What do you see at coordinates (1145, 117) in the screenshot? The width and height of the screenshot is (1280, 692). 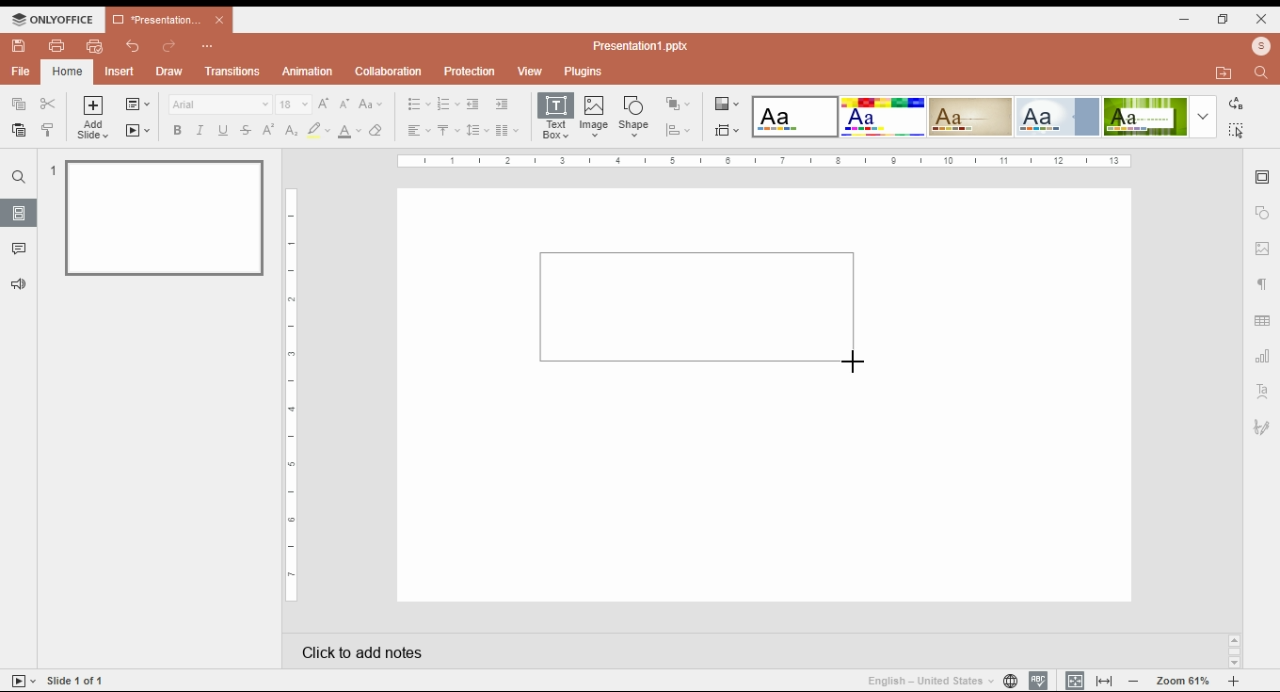 I see `color theme` at bounding box center [1145, 117].